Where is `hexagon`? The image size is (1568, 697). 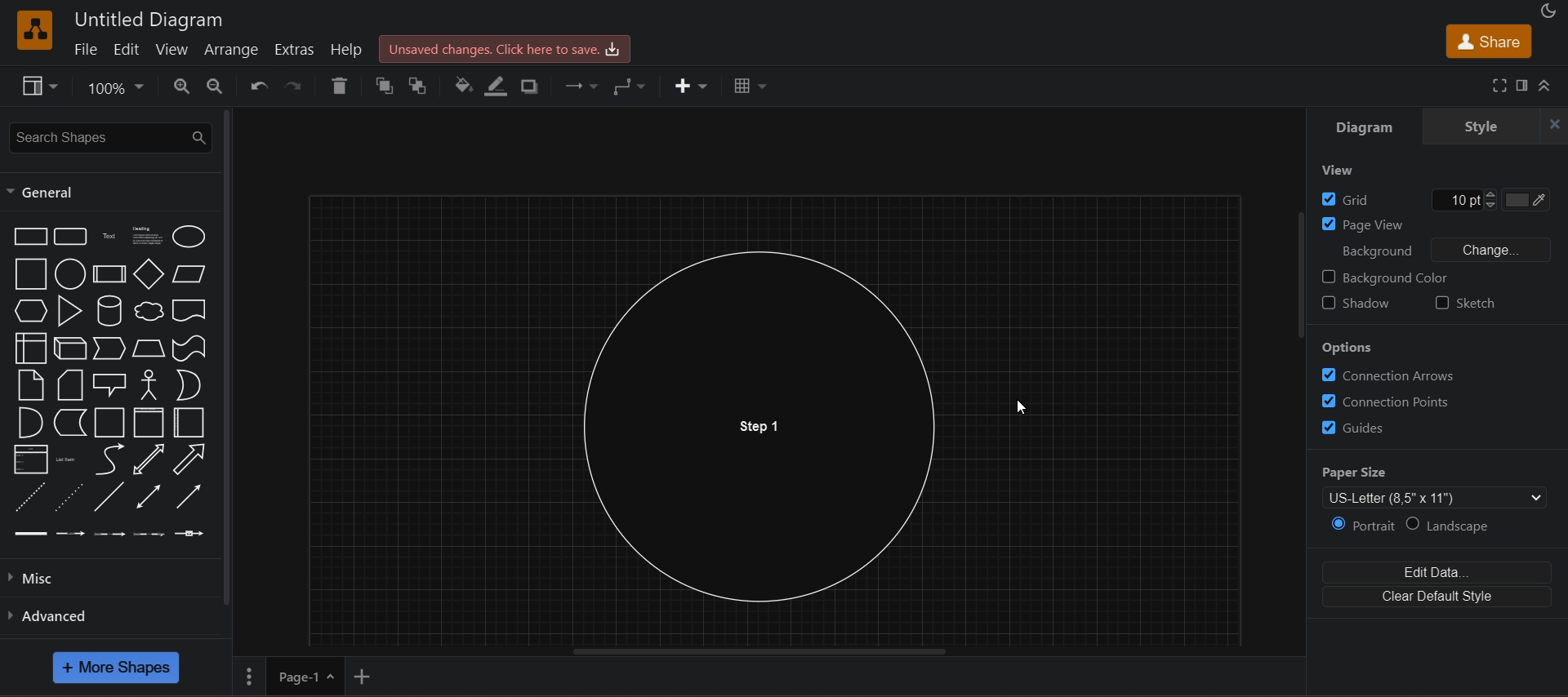 hexagon is located at coordinates (28, 311).